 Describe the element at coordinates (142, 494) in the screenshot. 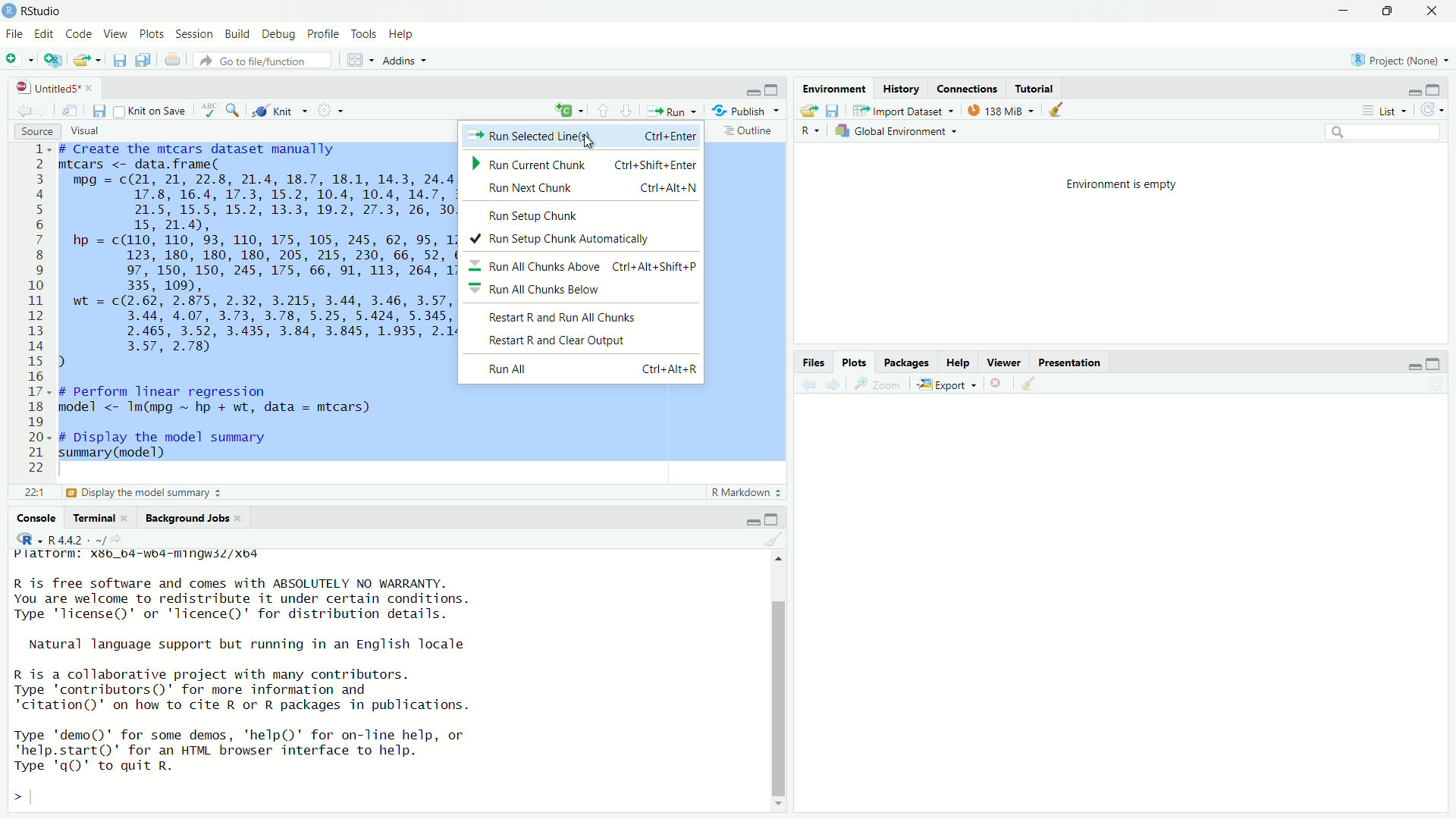

I see `£3 Display the model summary 3` at that location.